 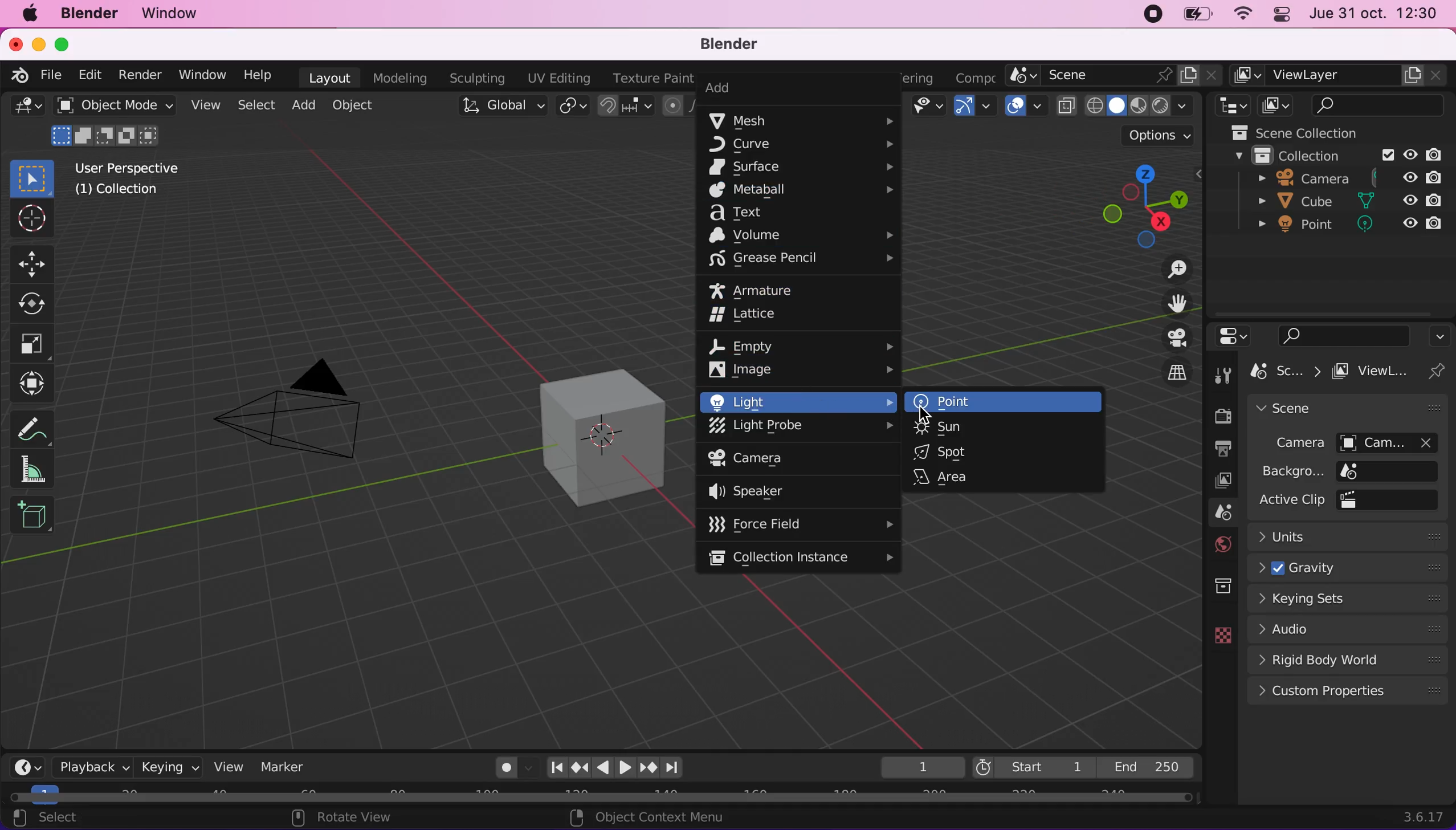 What do you see at coordinates (92, 77) in the screenshot?
I see `edit` at bounding box center [92, 77].